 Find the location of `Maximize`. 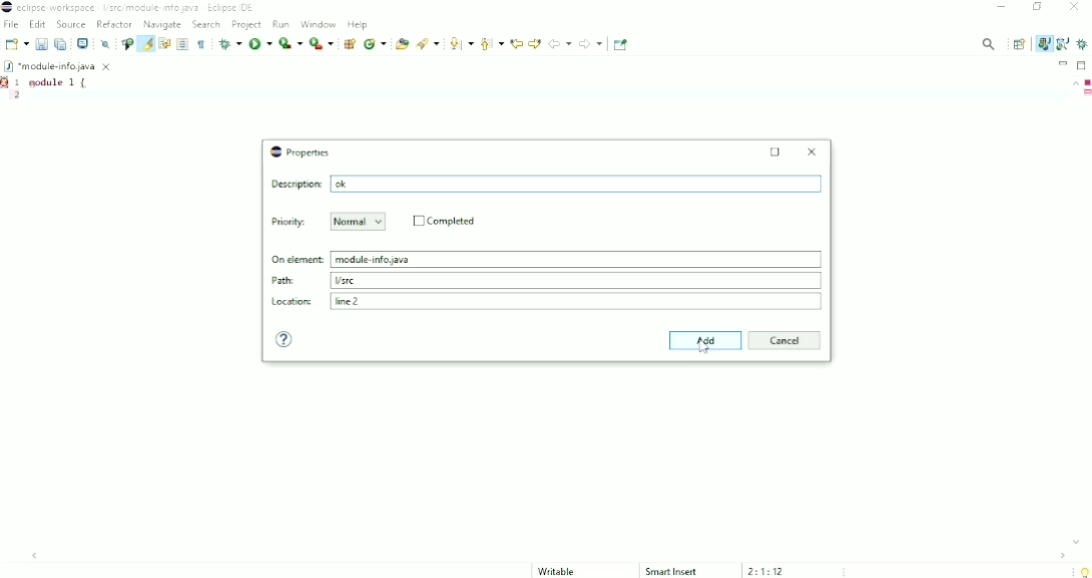

Maximize is located at coordinates (1083, 64).